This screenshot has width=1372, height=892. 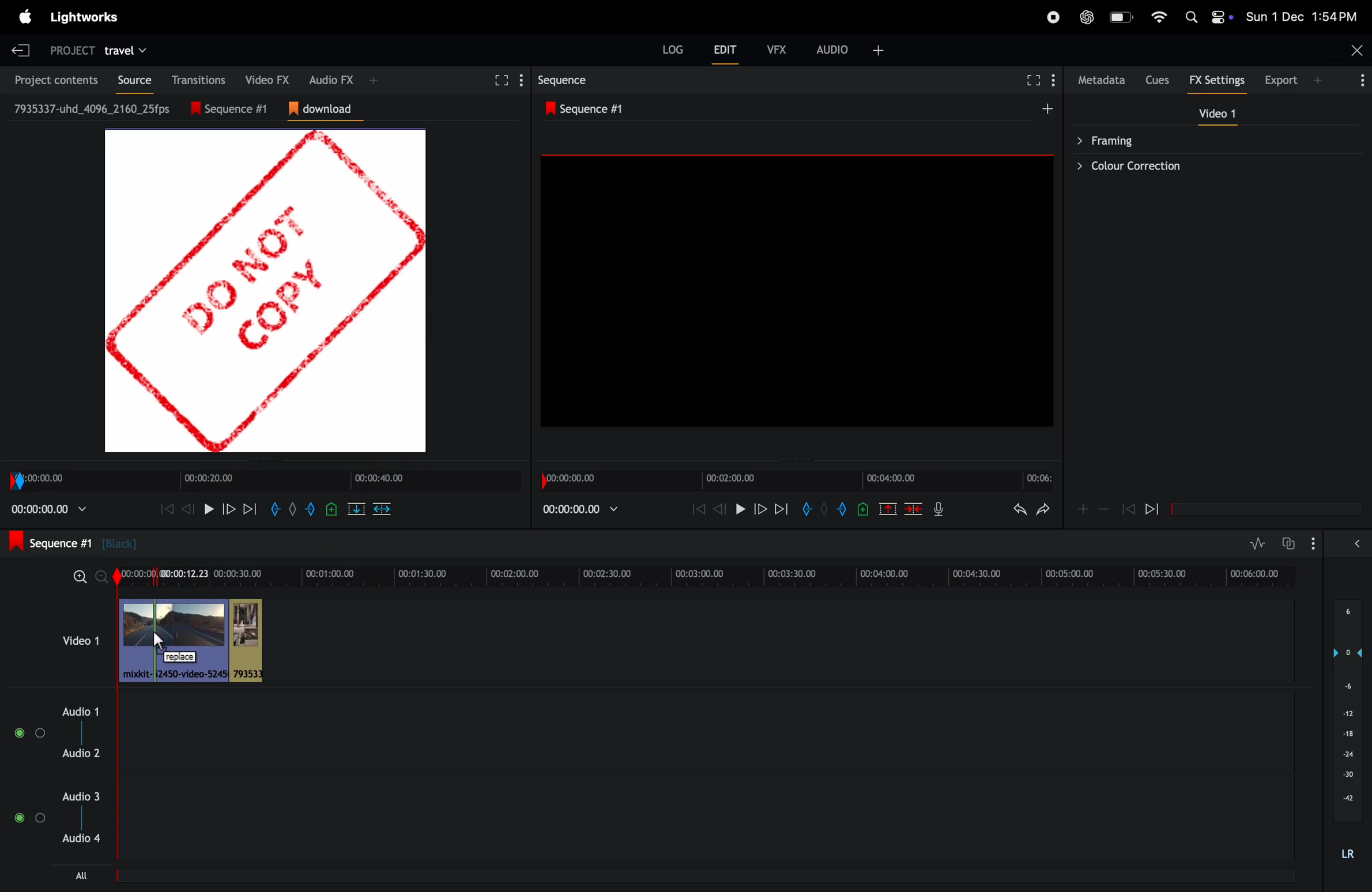 I want to click on Horizontal slide bar, so click(x=1267, y=509).